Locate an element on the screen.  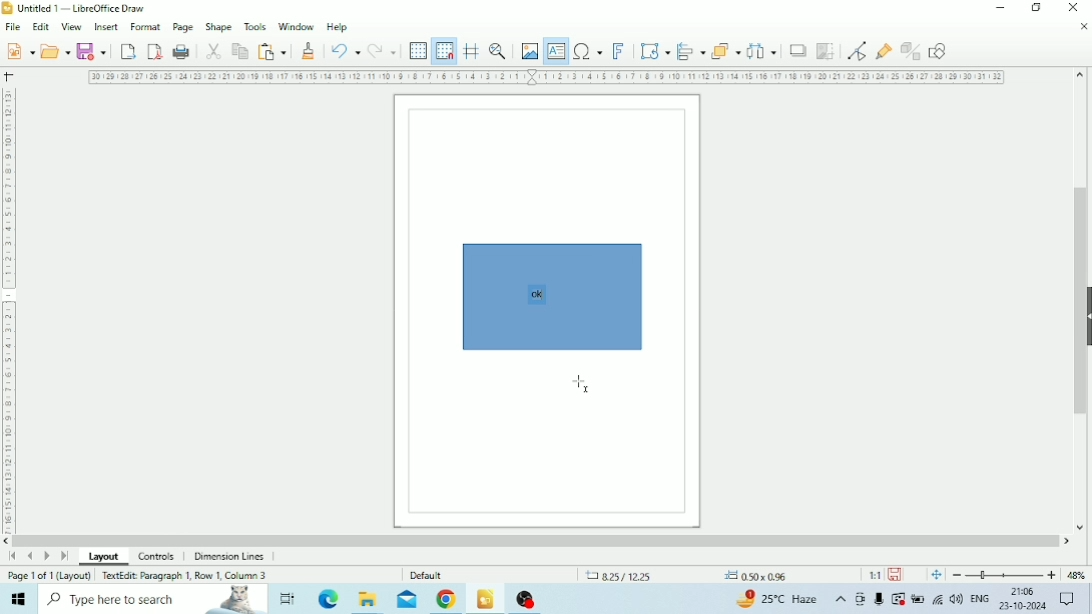
Display Grid is located at coordinates (419, 51).